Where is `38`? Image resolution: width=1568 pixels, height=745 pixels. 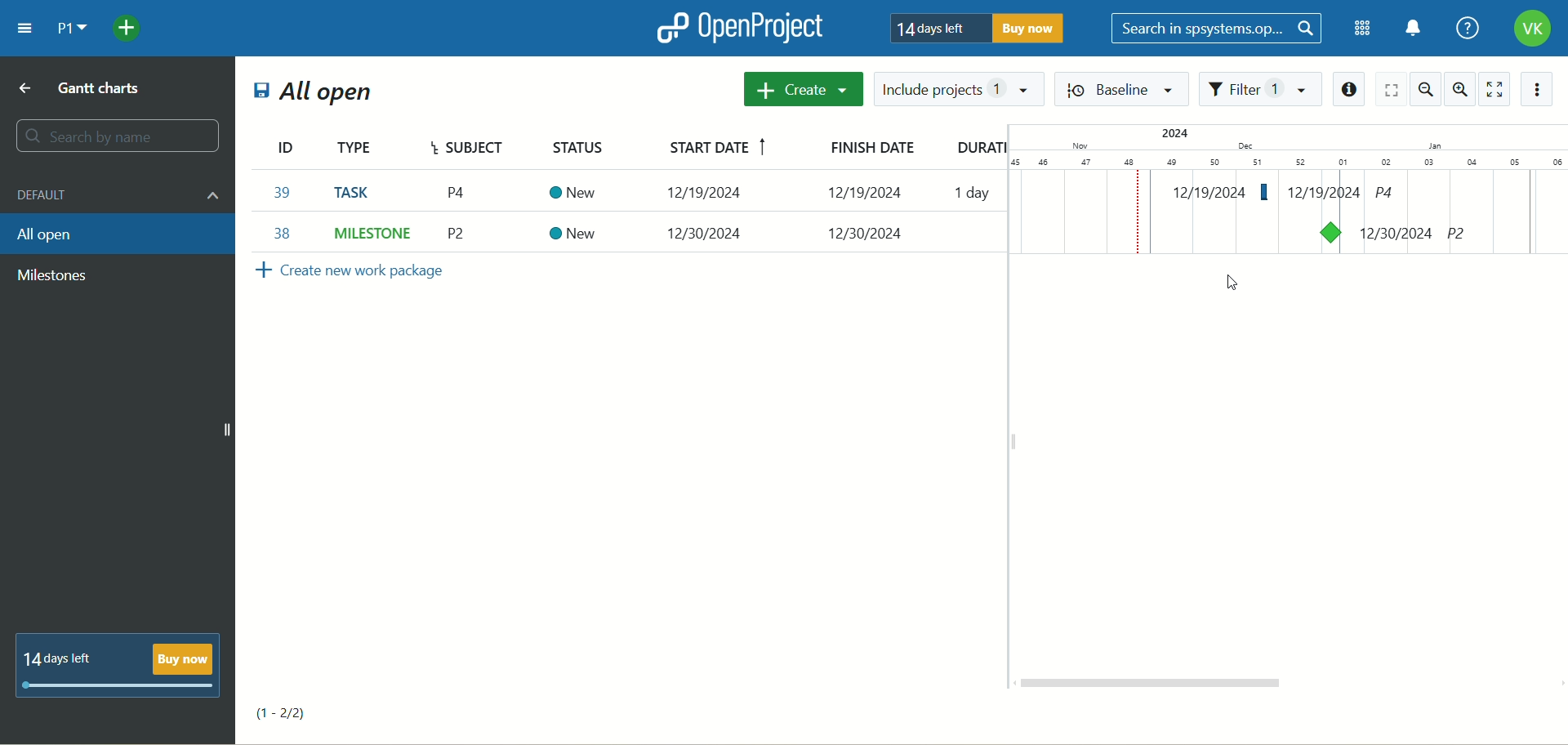
38 is located at coordinates (283, 192).